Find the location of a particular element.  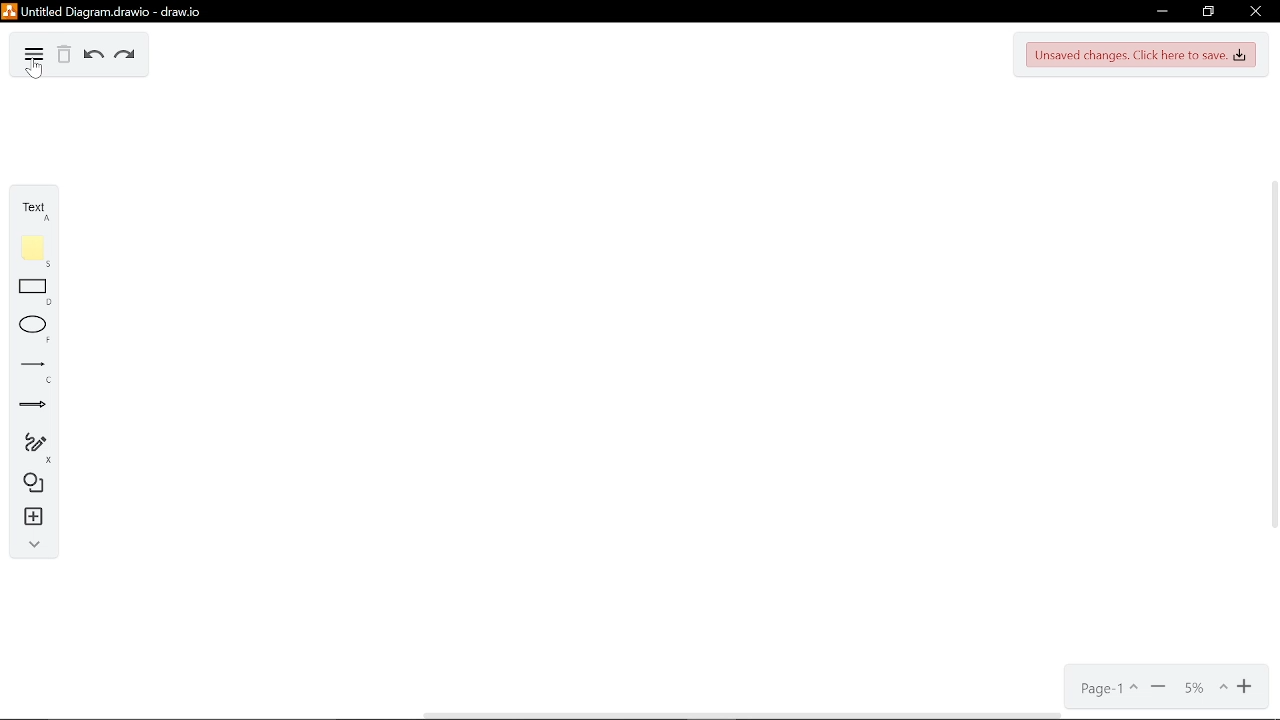

Diagram is located at coordinates (33, 57).